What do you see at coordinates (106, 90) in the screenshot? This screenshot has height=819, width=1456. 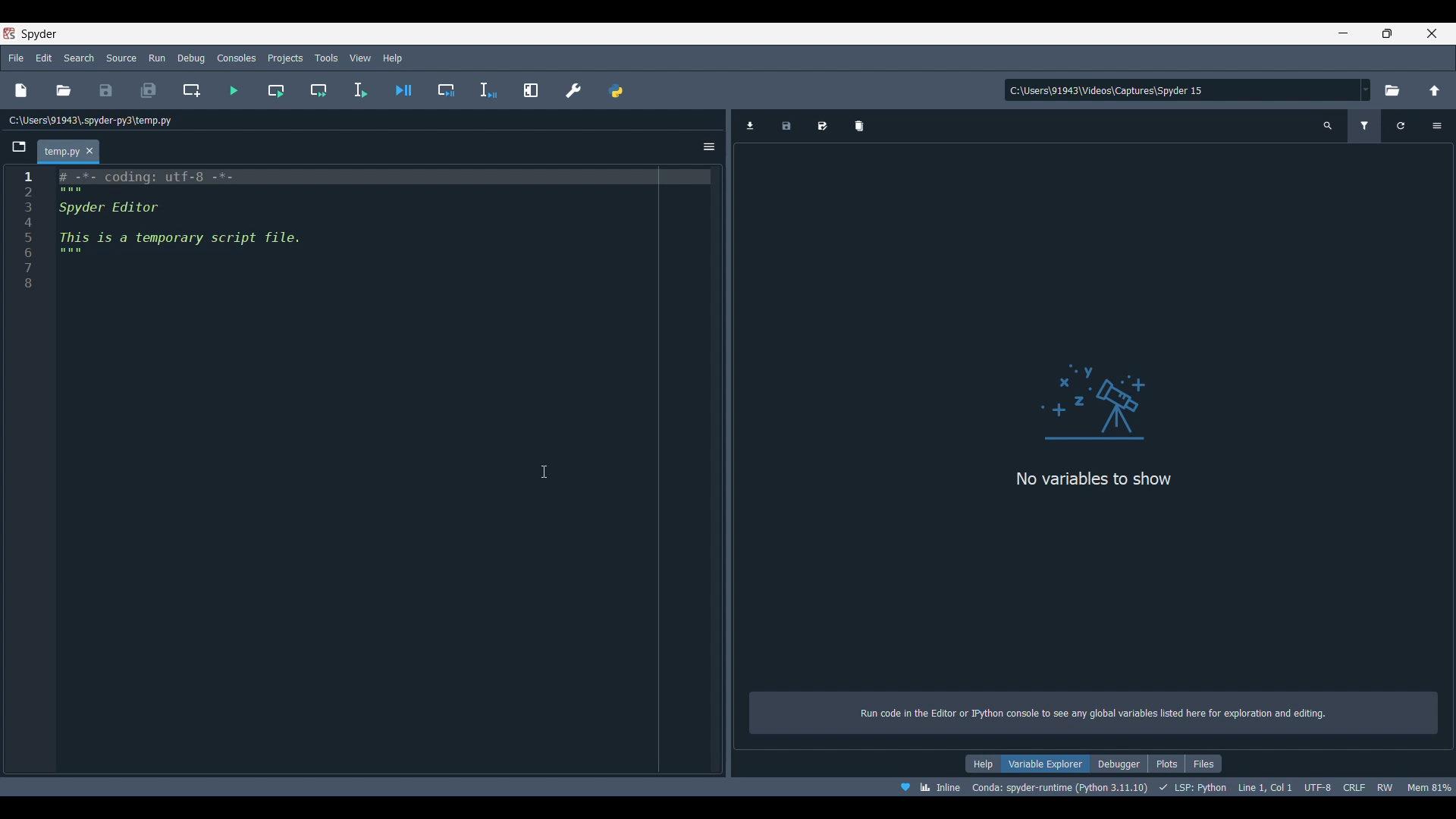 I see `Save file` at bounding box center [106, 90].